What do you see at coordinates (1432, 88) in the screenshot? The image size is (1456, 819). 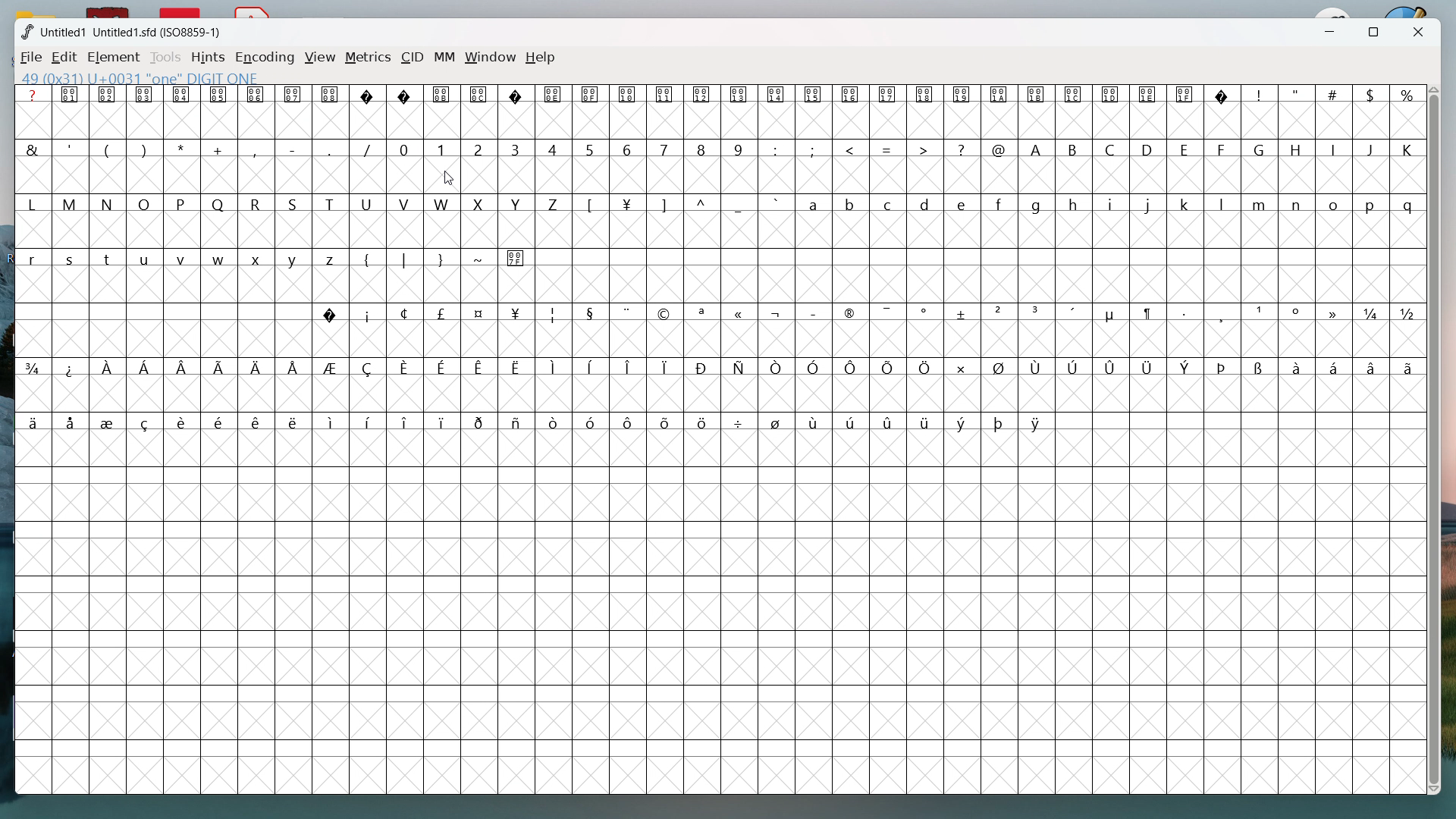 I see `scroll up` at bounding box center [1432, 88].